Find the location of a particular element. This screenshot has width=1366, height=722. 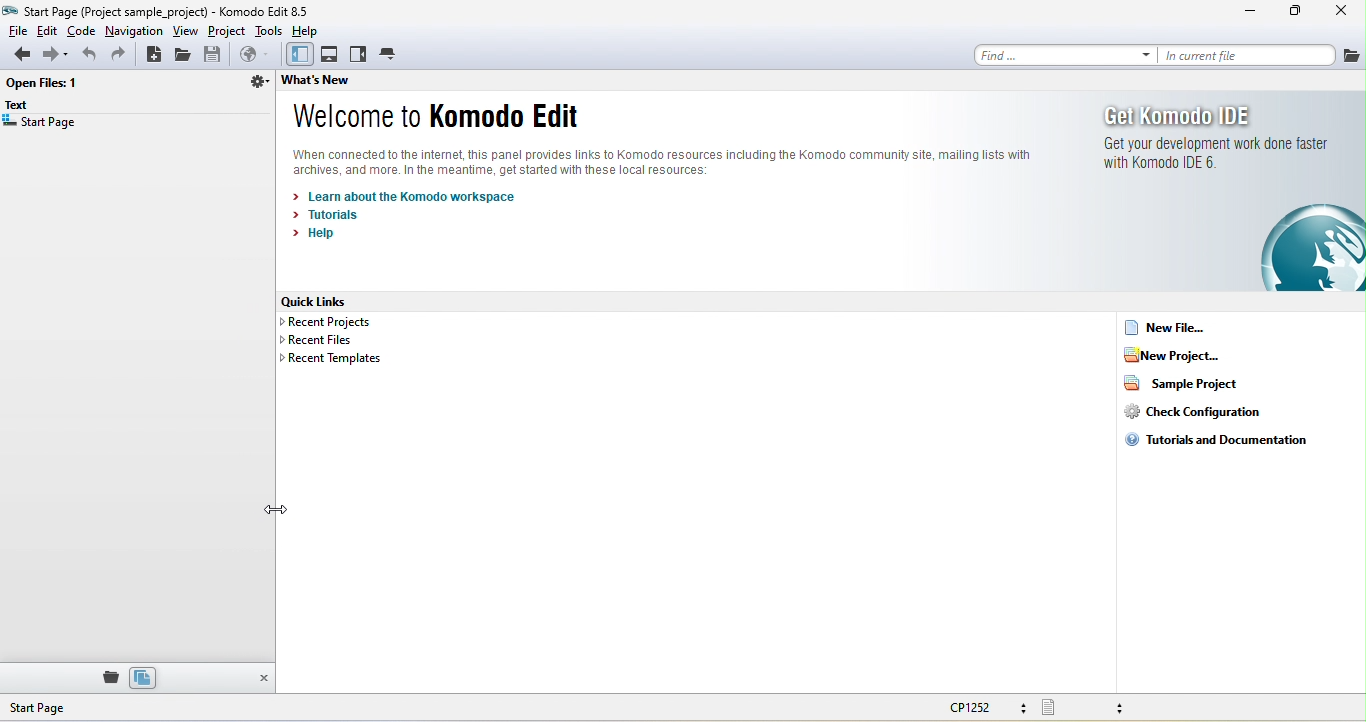

open file 1 is located at coordinates (47, 85).